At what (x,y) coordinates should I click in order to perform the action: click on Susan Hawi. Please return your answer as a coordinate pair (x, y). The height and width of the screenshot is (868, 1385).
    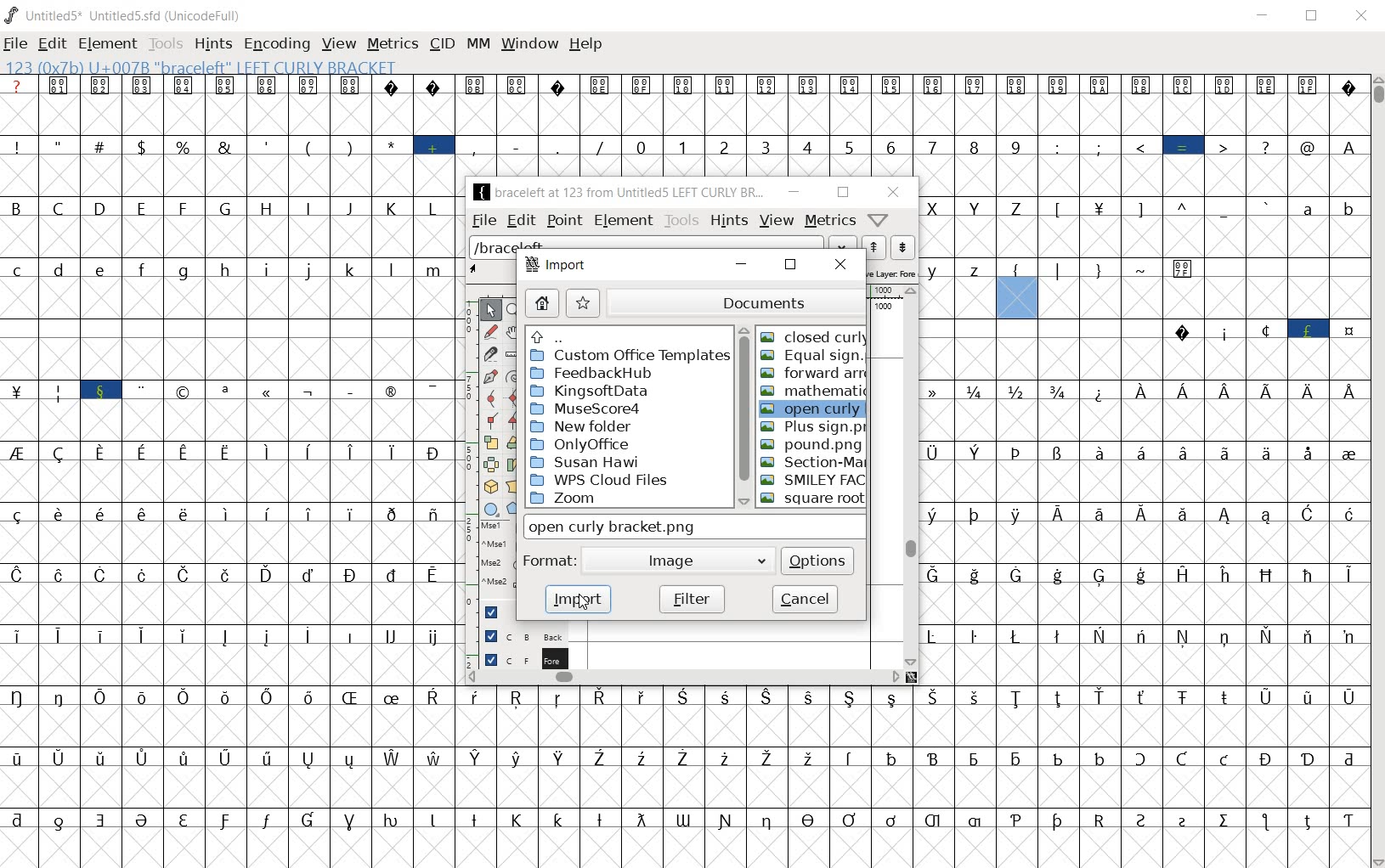
    Looking at the image, I should click on (590, 462).